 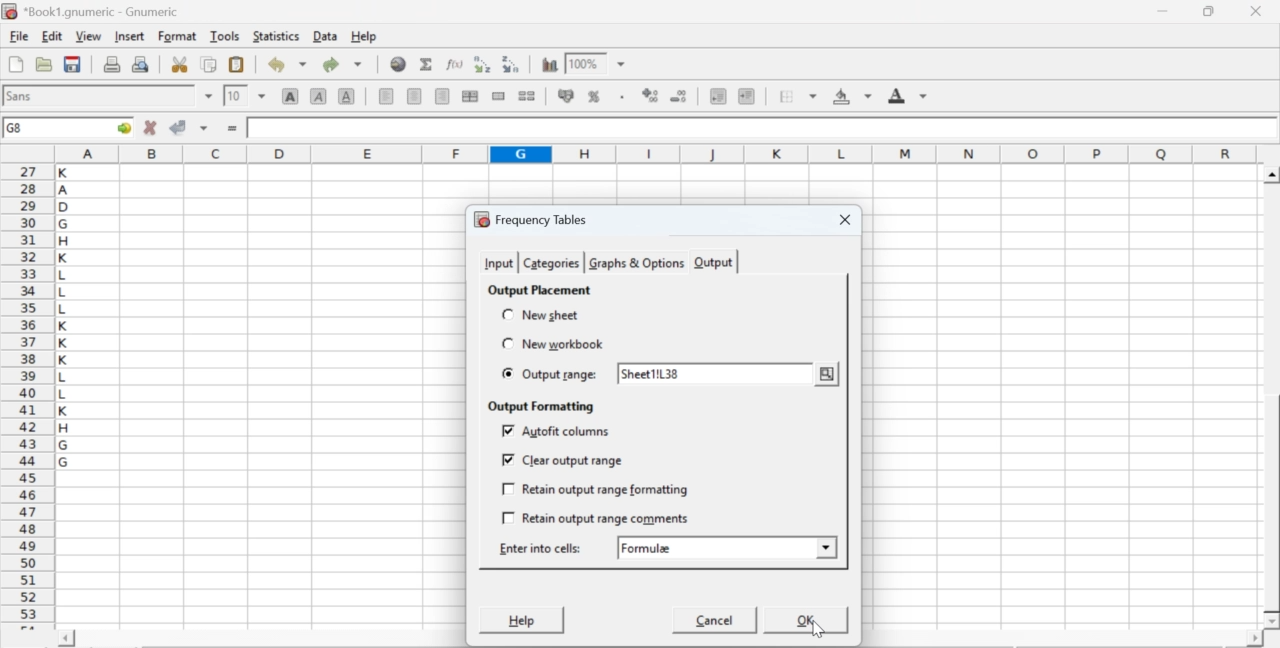 What do you see at coordinates (499, 96) in the screenshot?
I see `merge a range of cells` at bounding box center [499, 96].